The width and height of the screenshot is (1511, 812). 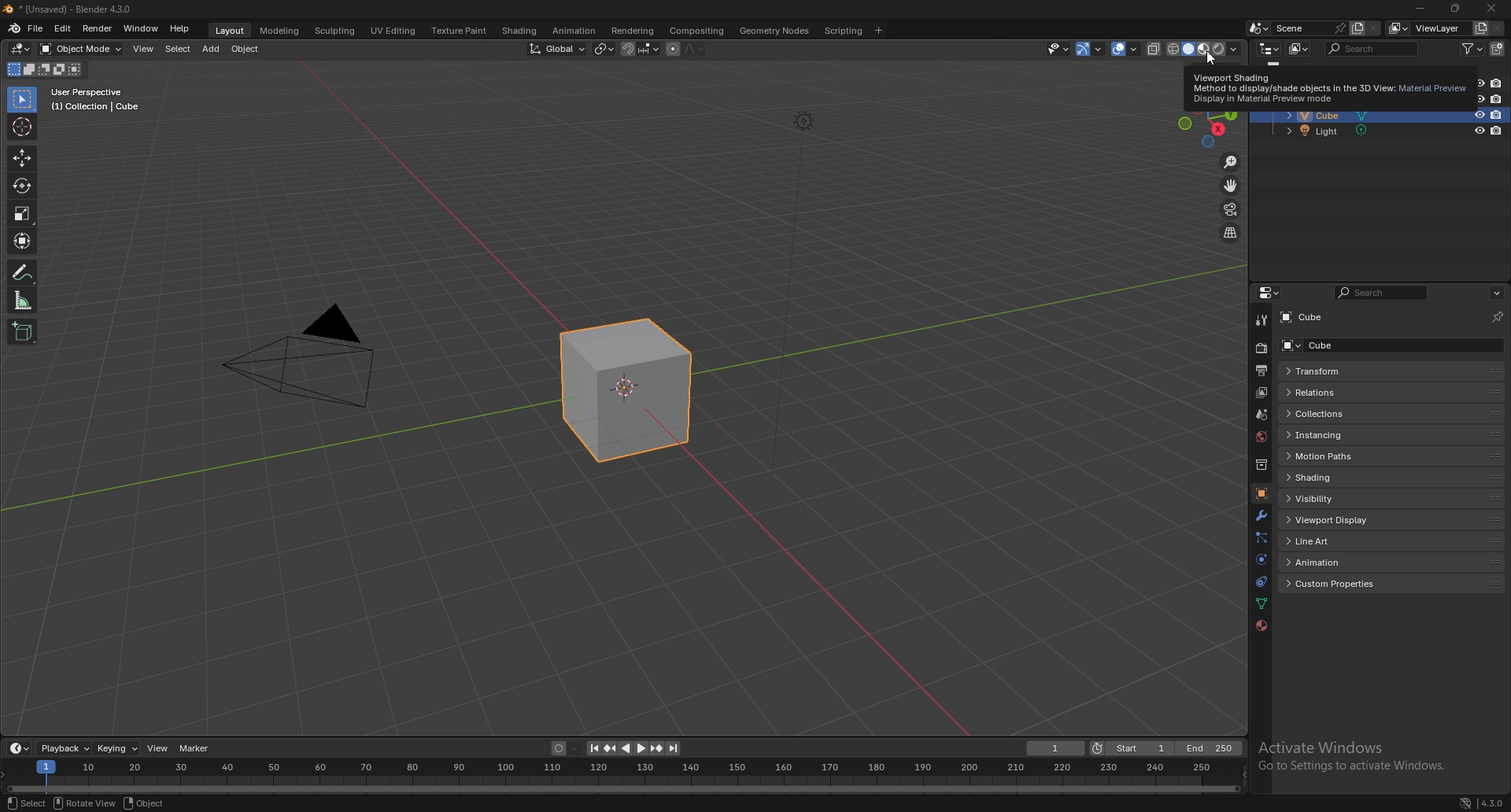 What do you see at coordinates (558, 48) in the screenshot?
I see `transform orientation` at bounding box center [558, 48].